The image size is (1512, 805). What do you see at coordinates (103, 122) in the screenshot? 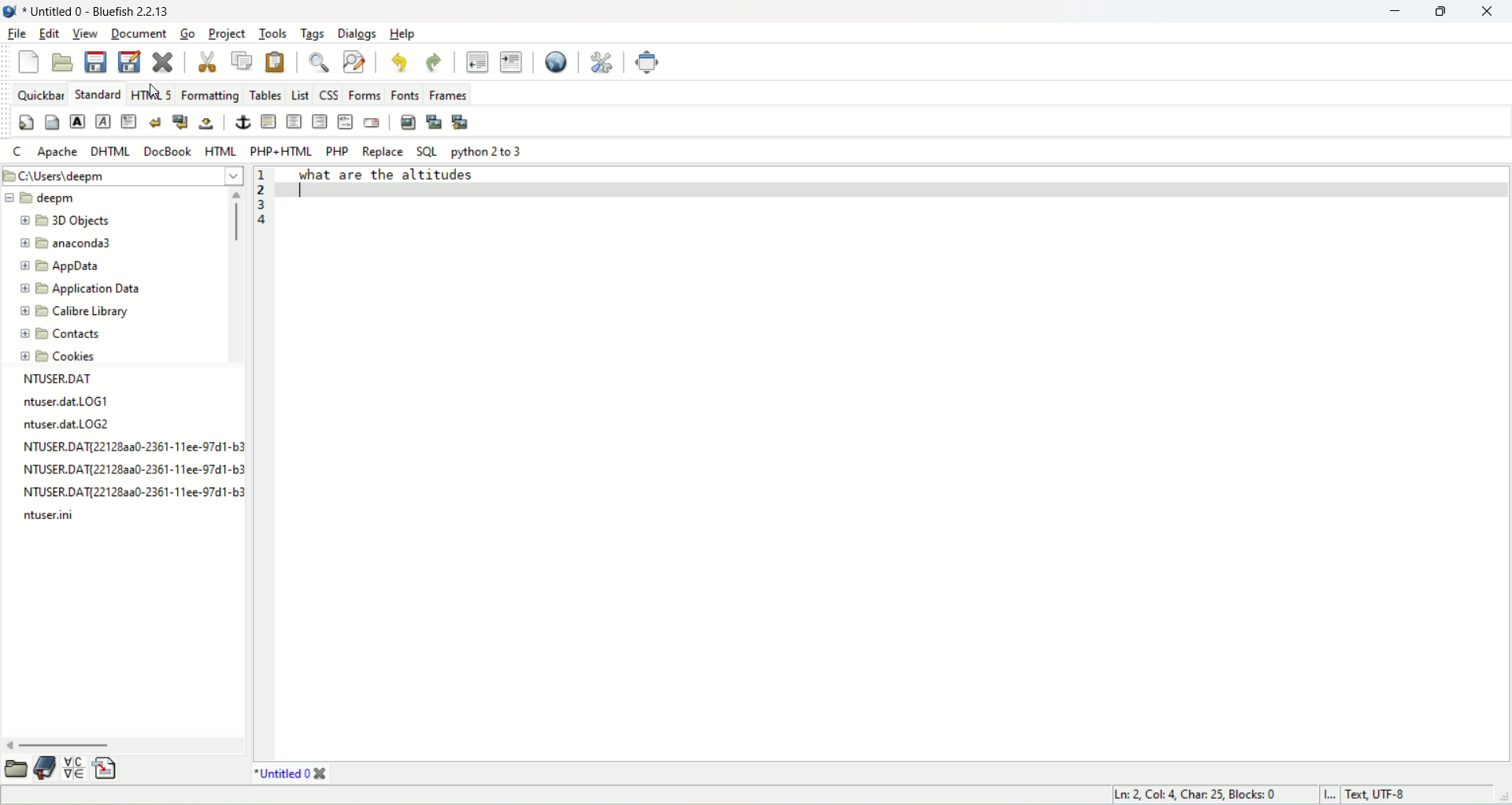
I see `emphasize` at bounding box center [103, 122].